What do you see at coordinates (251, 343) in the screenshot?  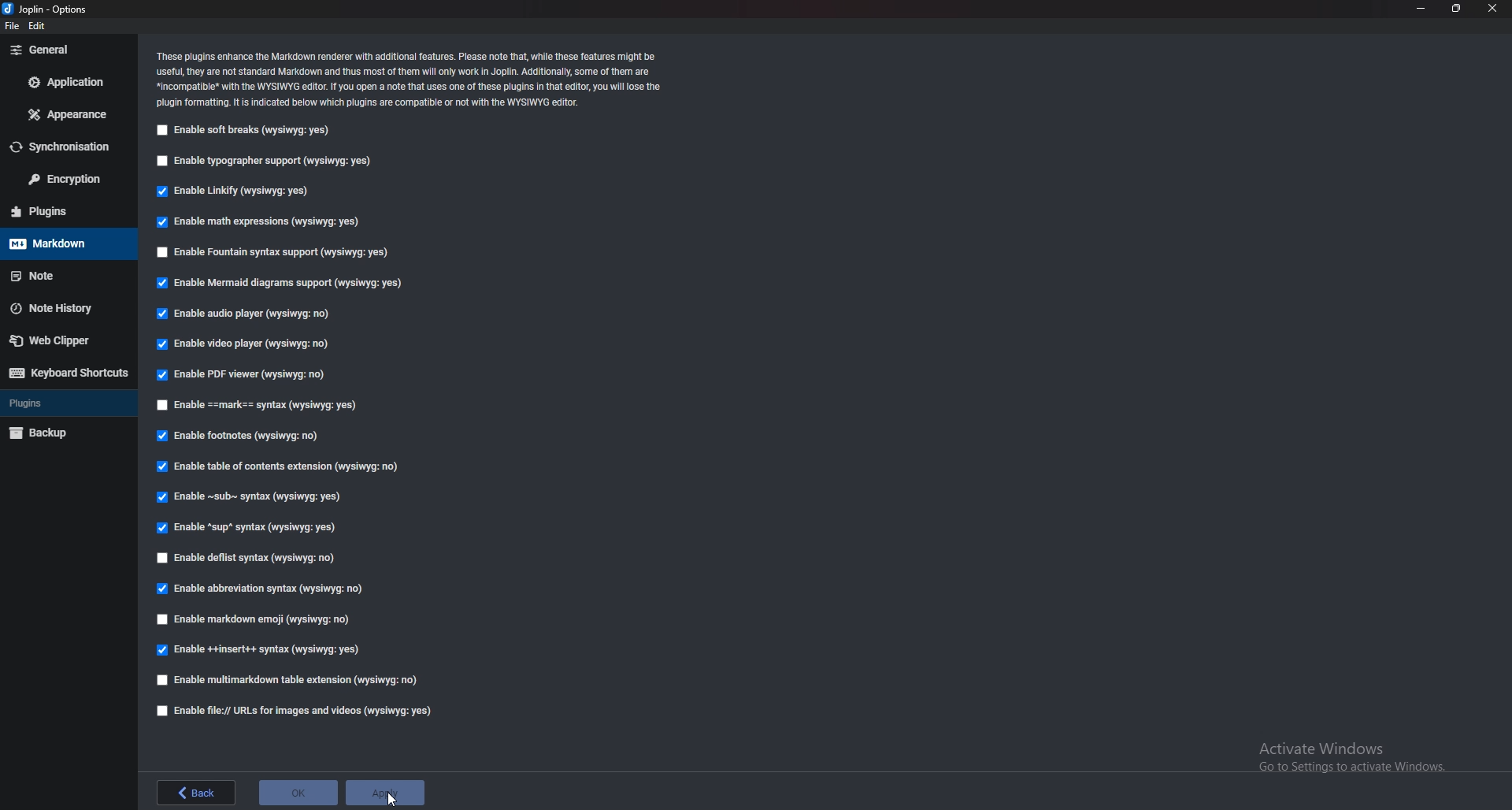 I see `Enable video player` at bounding box center [251, 343].